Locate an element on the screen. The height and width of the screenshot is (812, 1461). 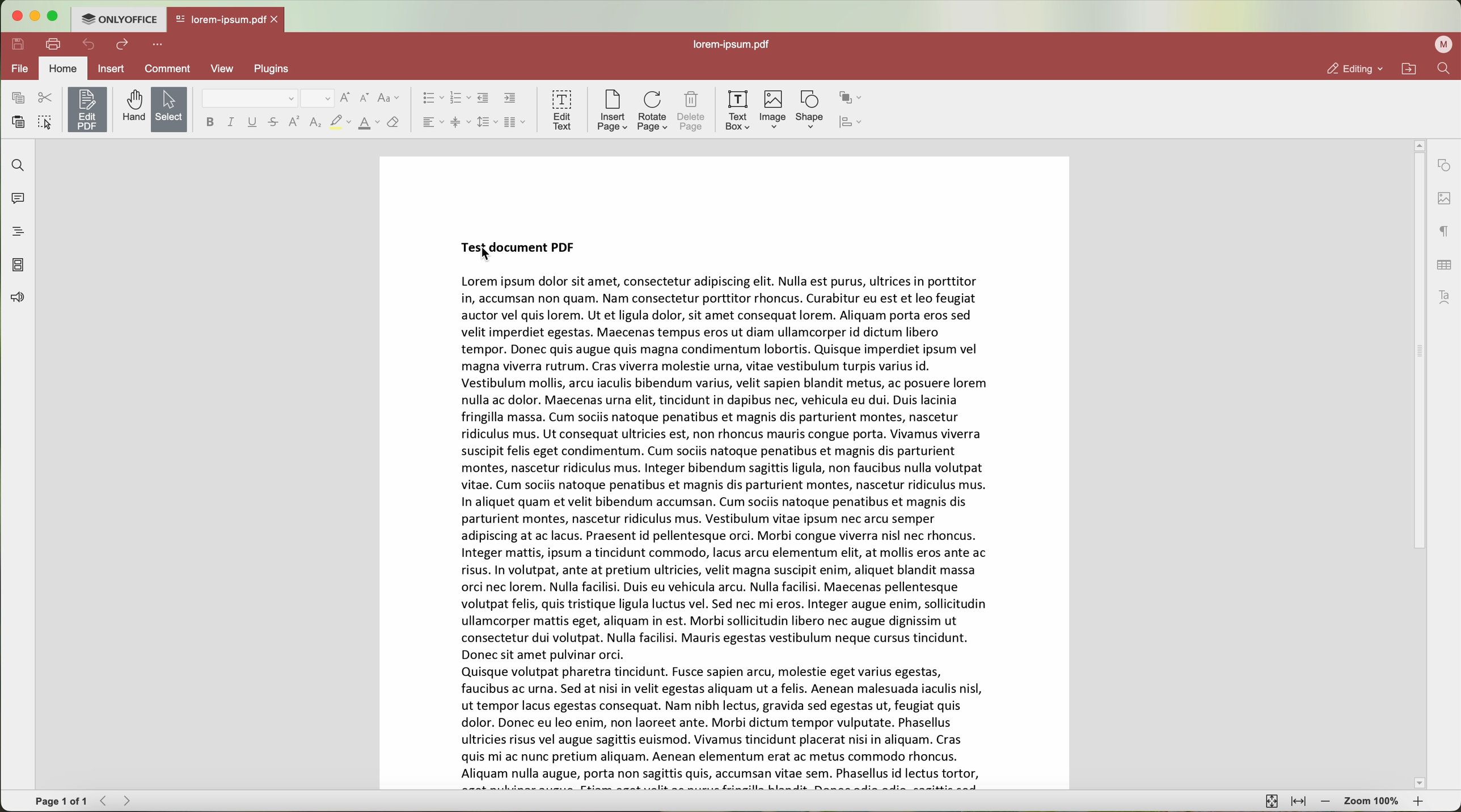
insert page is located at coordinates (612, 112).